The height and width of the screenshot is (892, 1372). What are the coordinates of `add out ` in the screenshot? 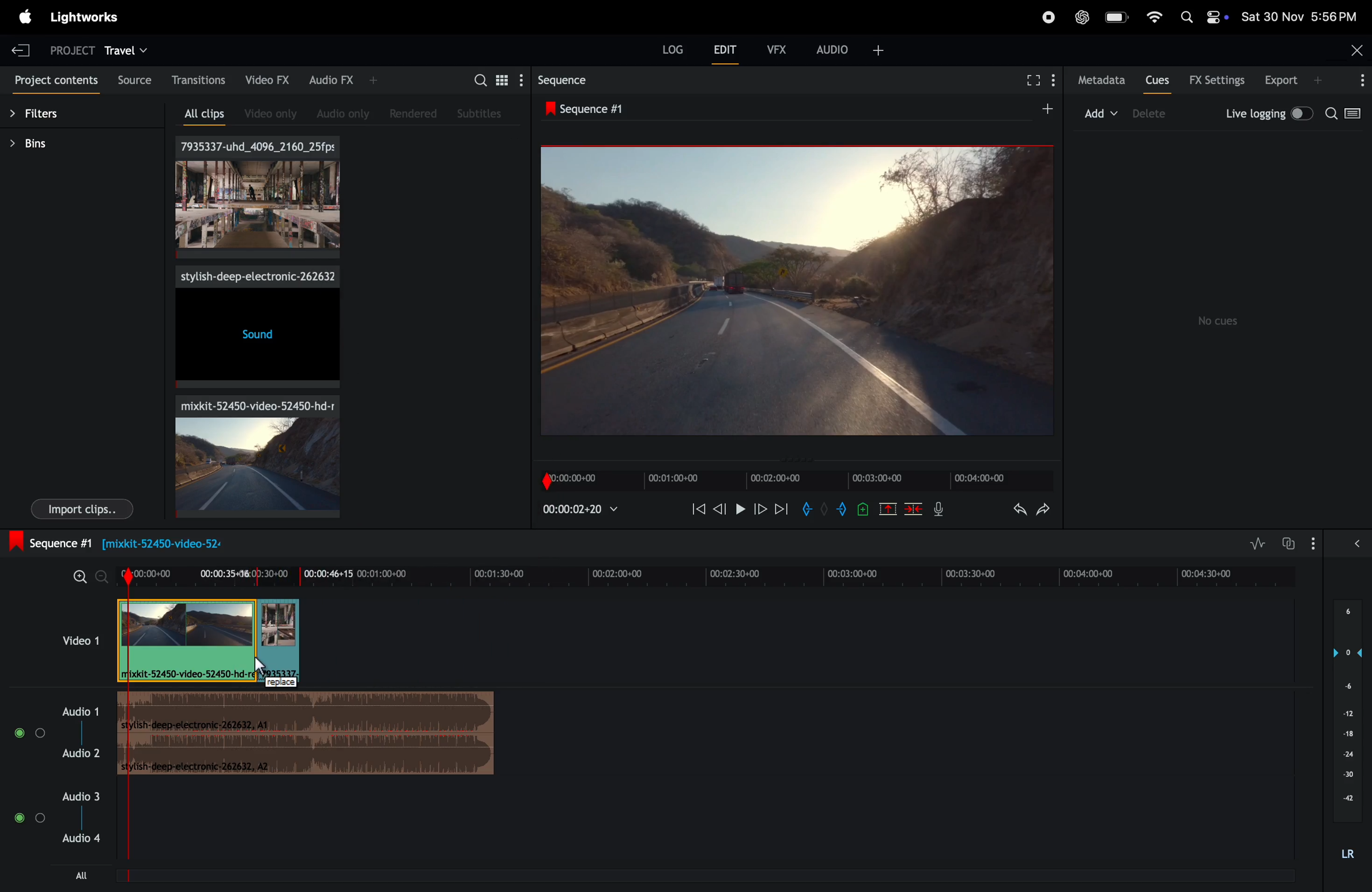 It's located at (839, 511).